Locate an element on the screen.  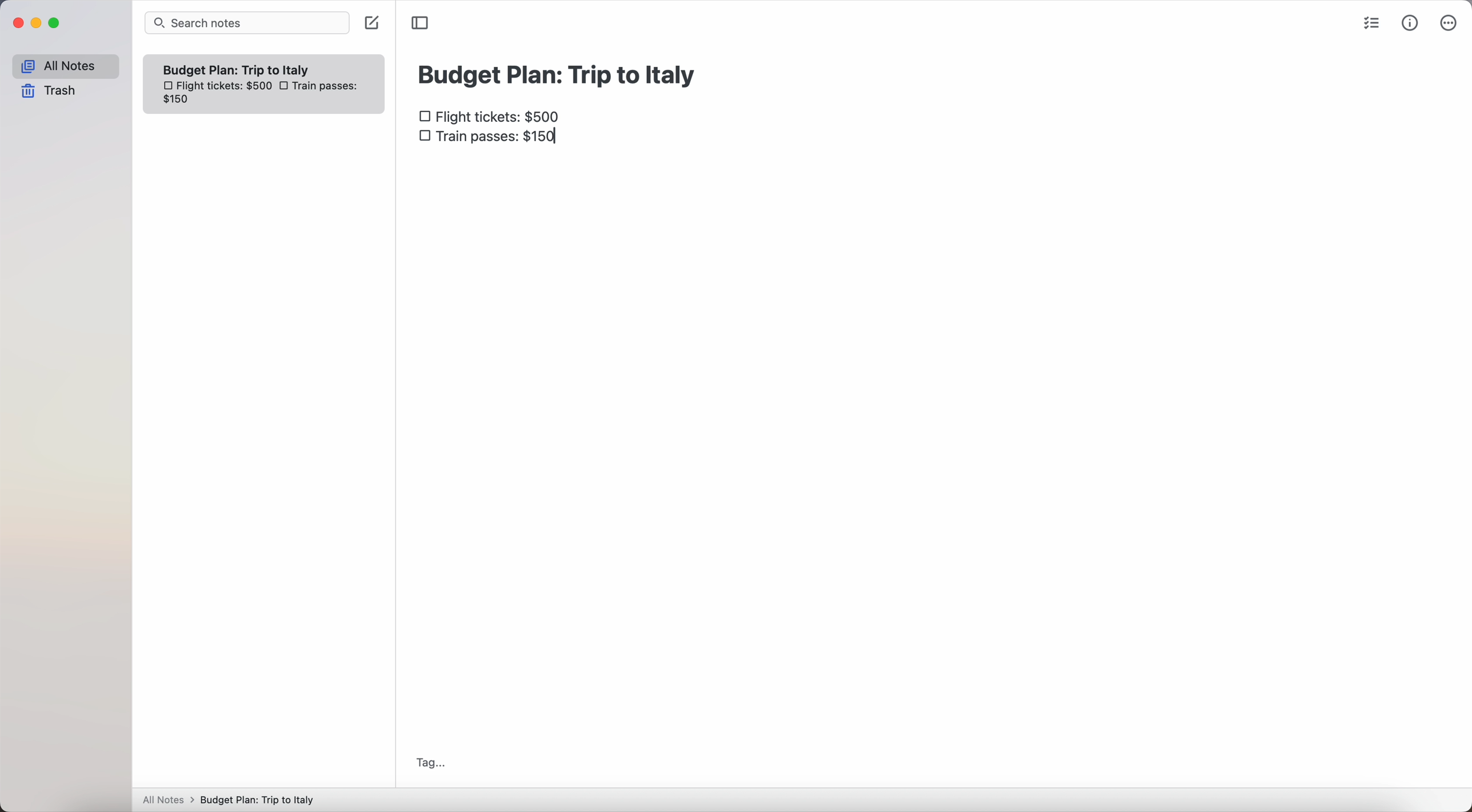
All notes > Budget Plan: Trip to Italy is located at coordinates (234, 799).